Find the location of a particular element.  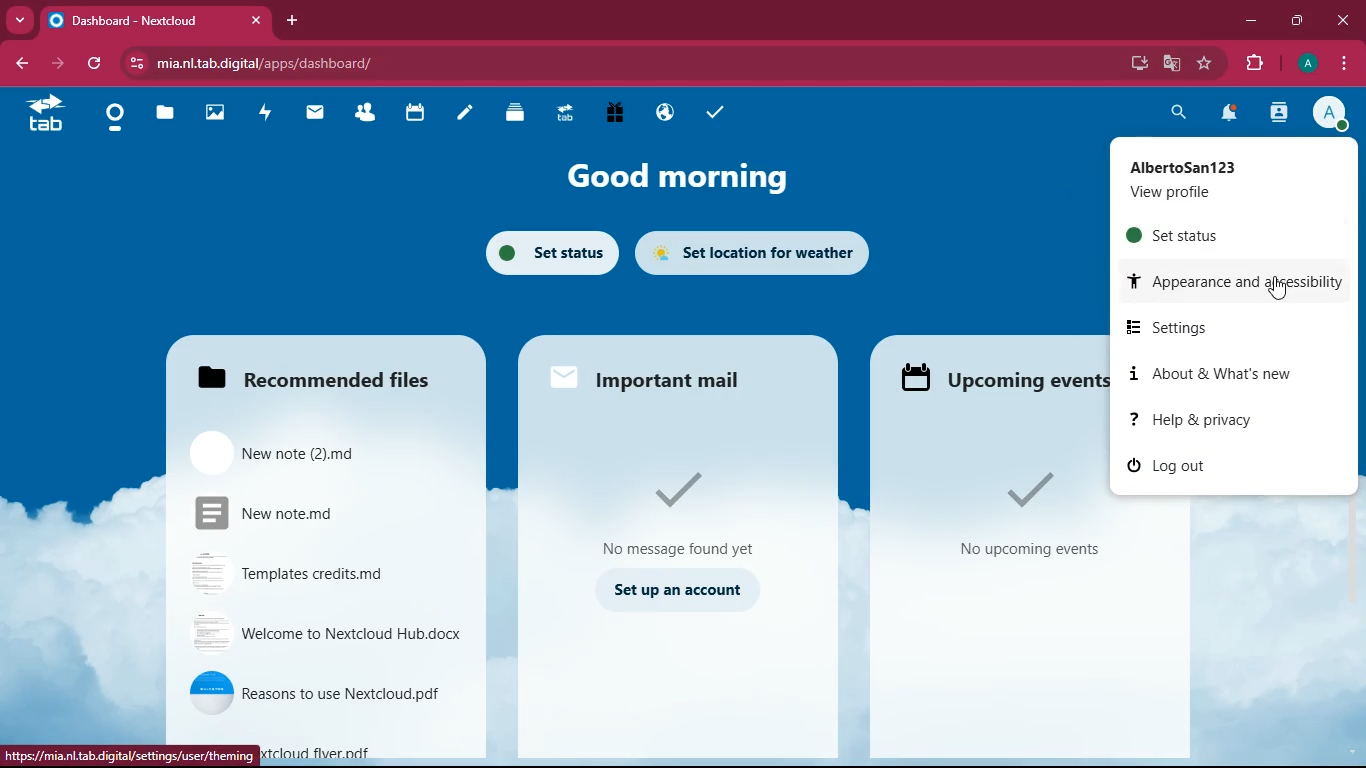

tab is located at coordinates (46, 112).